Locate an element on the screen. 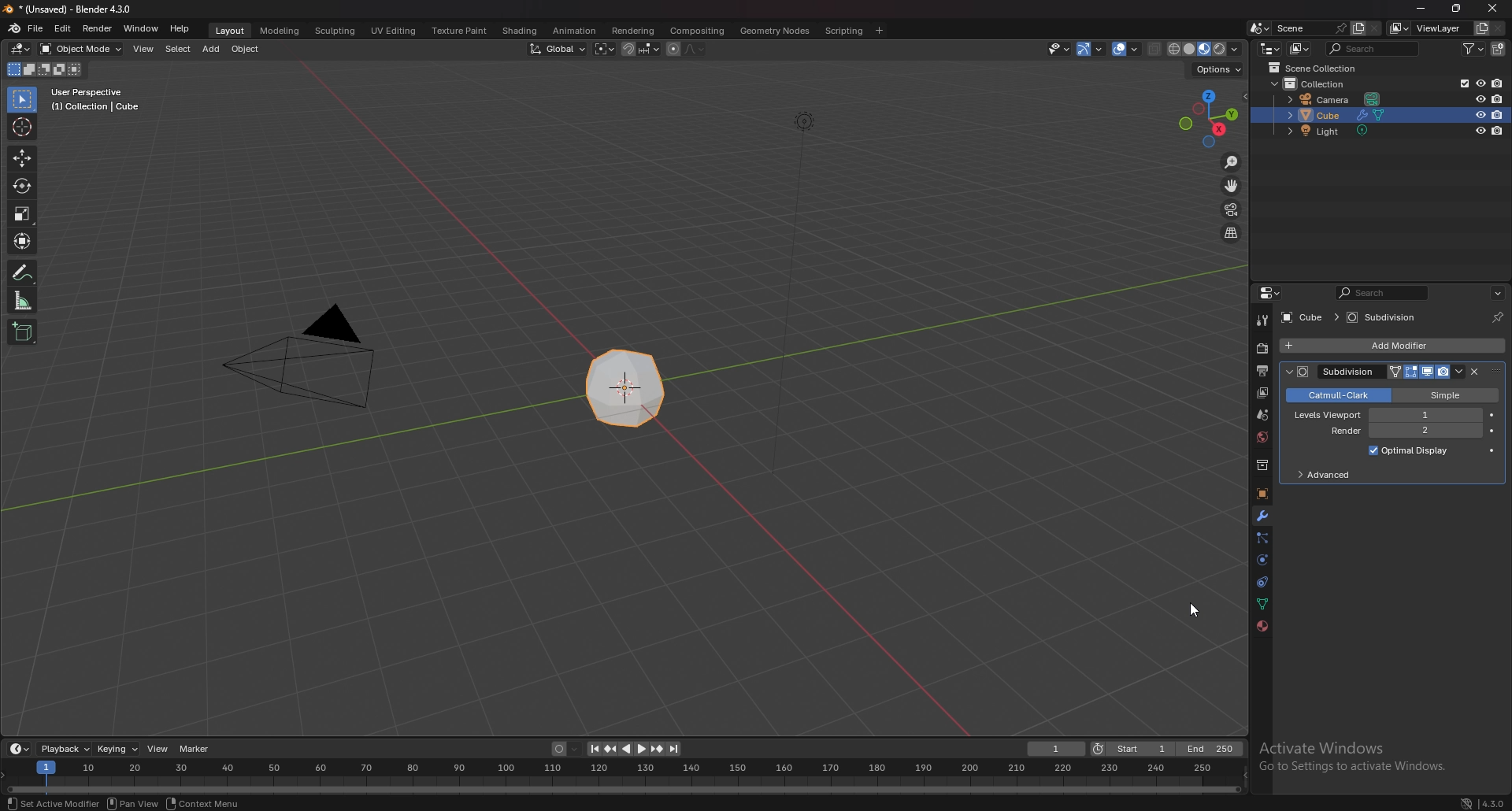  render is located at coordinates (97, 28).